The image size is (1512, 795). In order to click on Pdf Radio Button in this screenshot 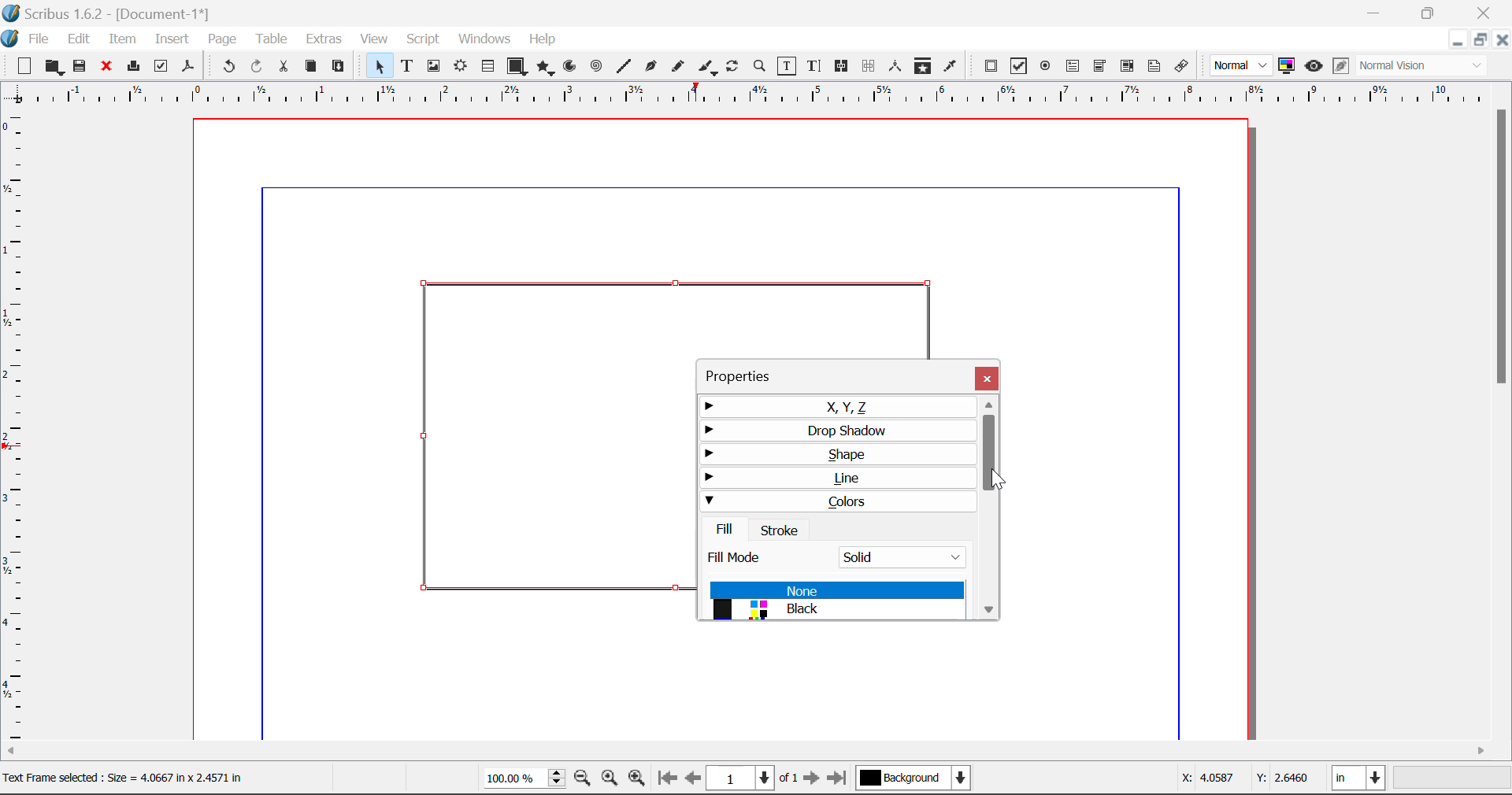, I will do `click(1045, 67)`.